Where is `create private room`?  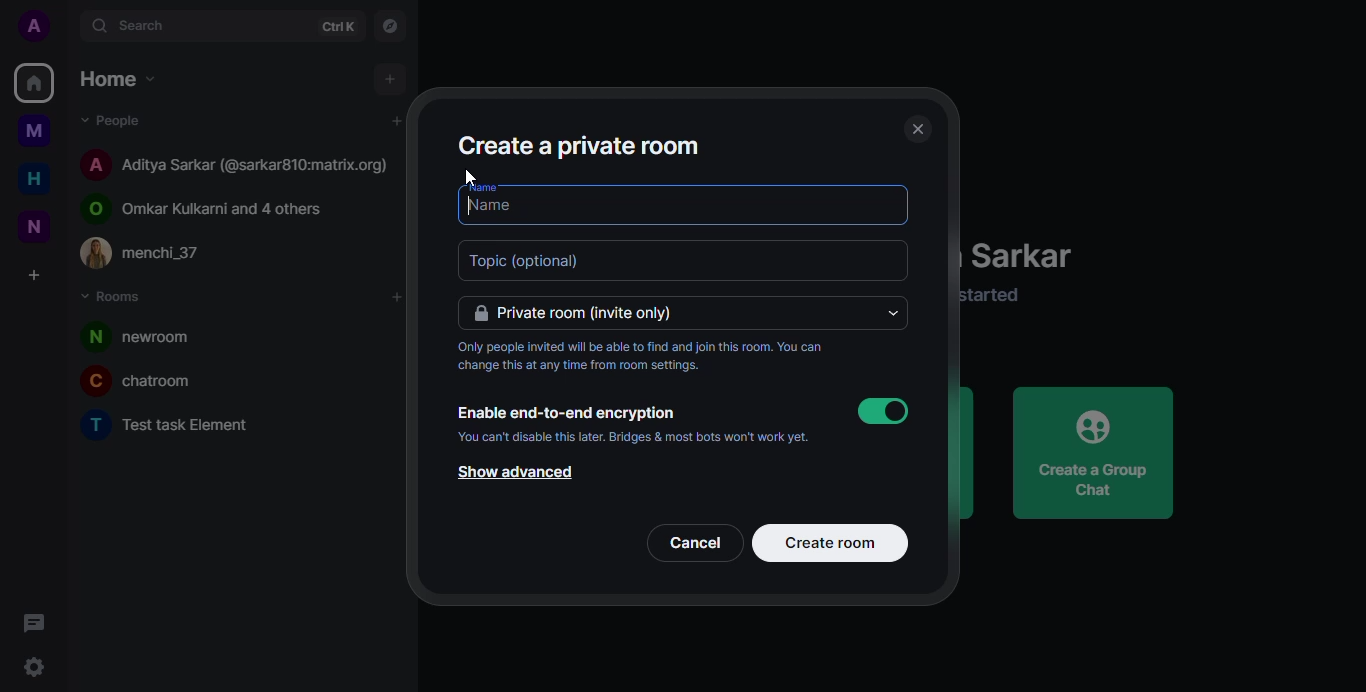
create private room is located at coordinates (592, 144).